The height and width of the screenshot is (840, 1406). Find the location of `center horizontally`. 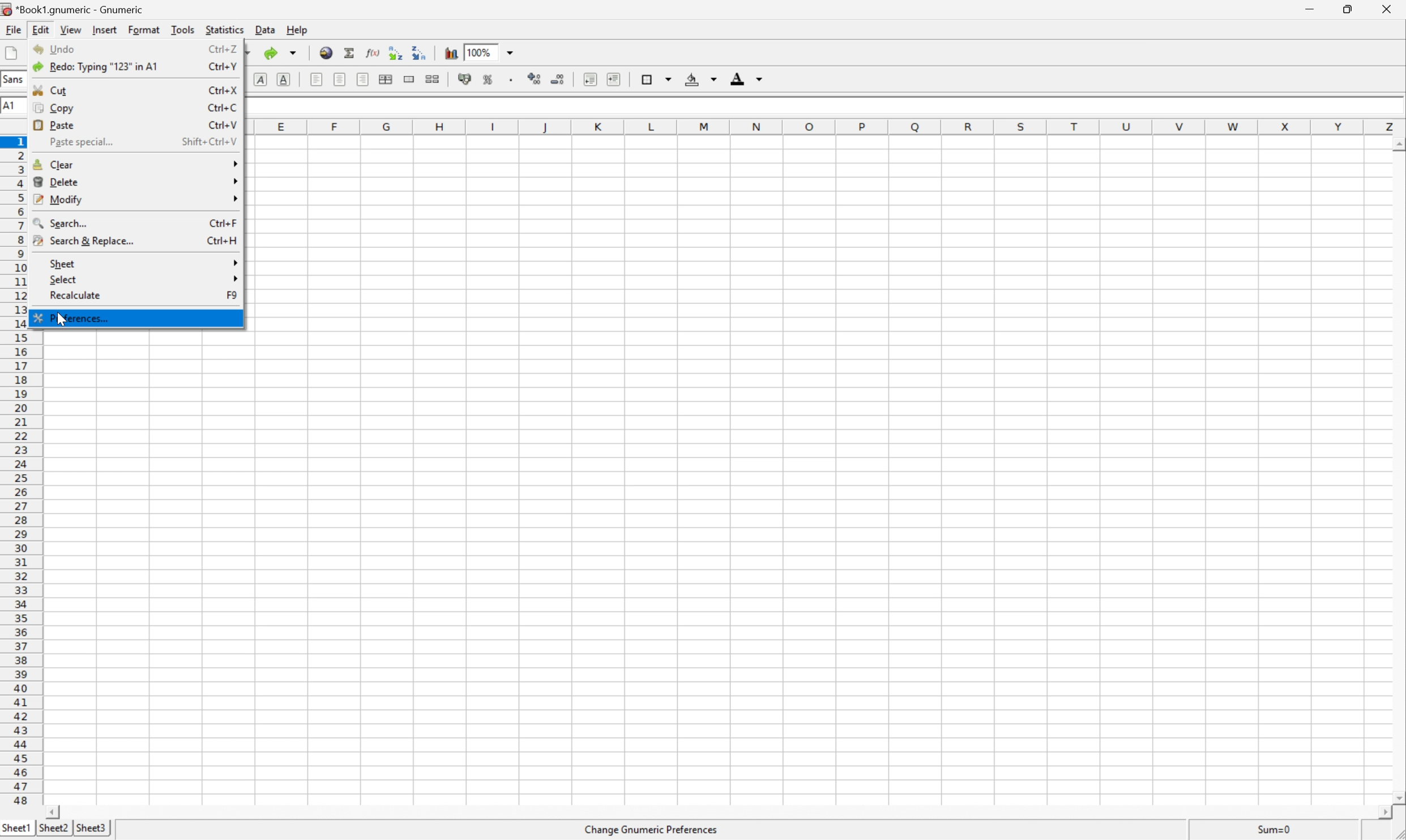

center horizontally is located at coordinates (341, 79).